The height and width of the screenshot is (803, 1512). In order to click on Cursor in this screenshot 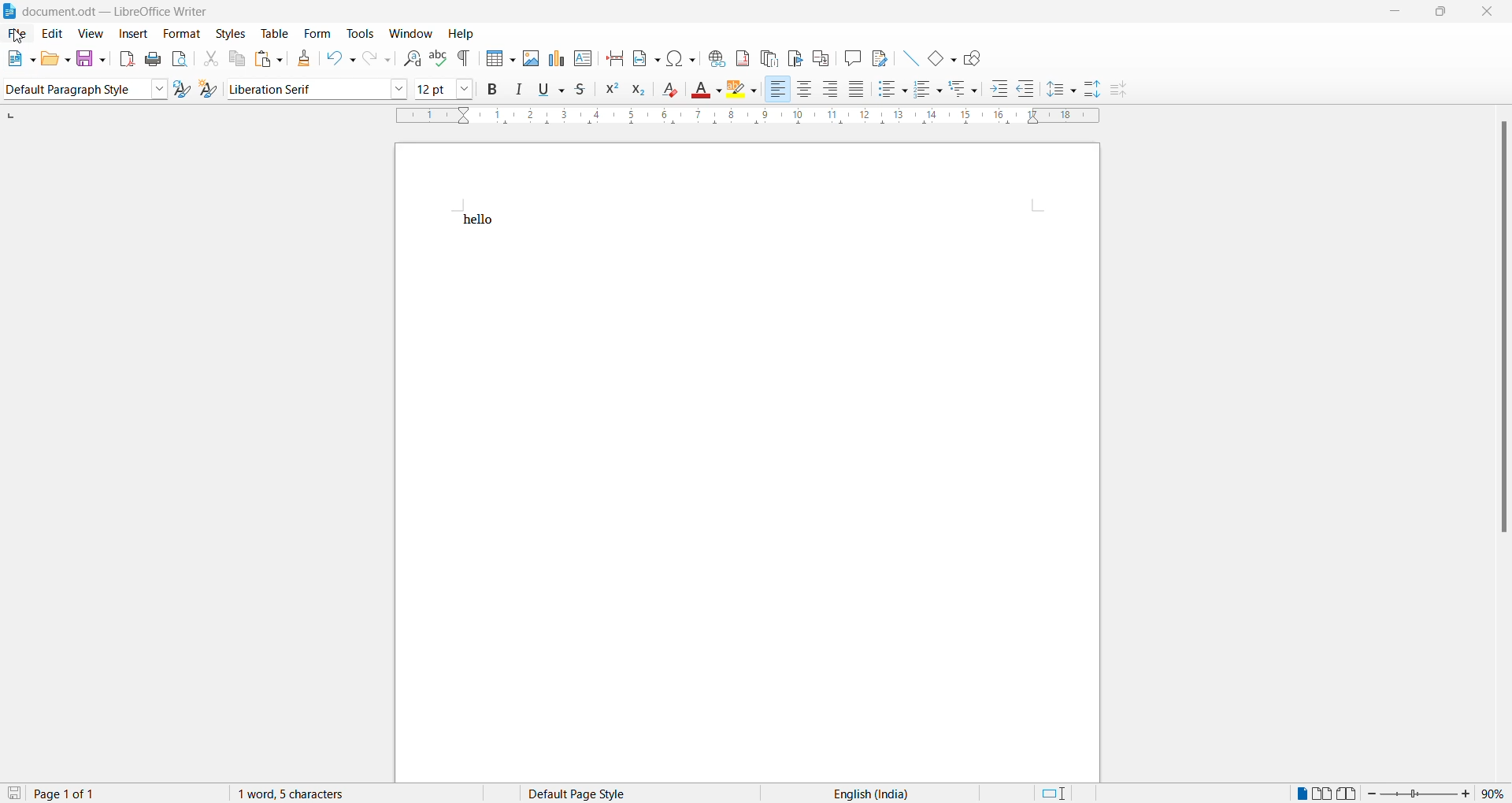, I will do `click(17, 39)`.